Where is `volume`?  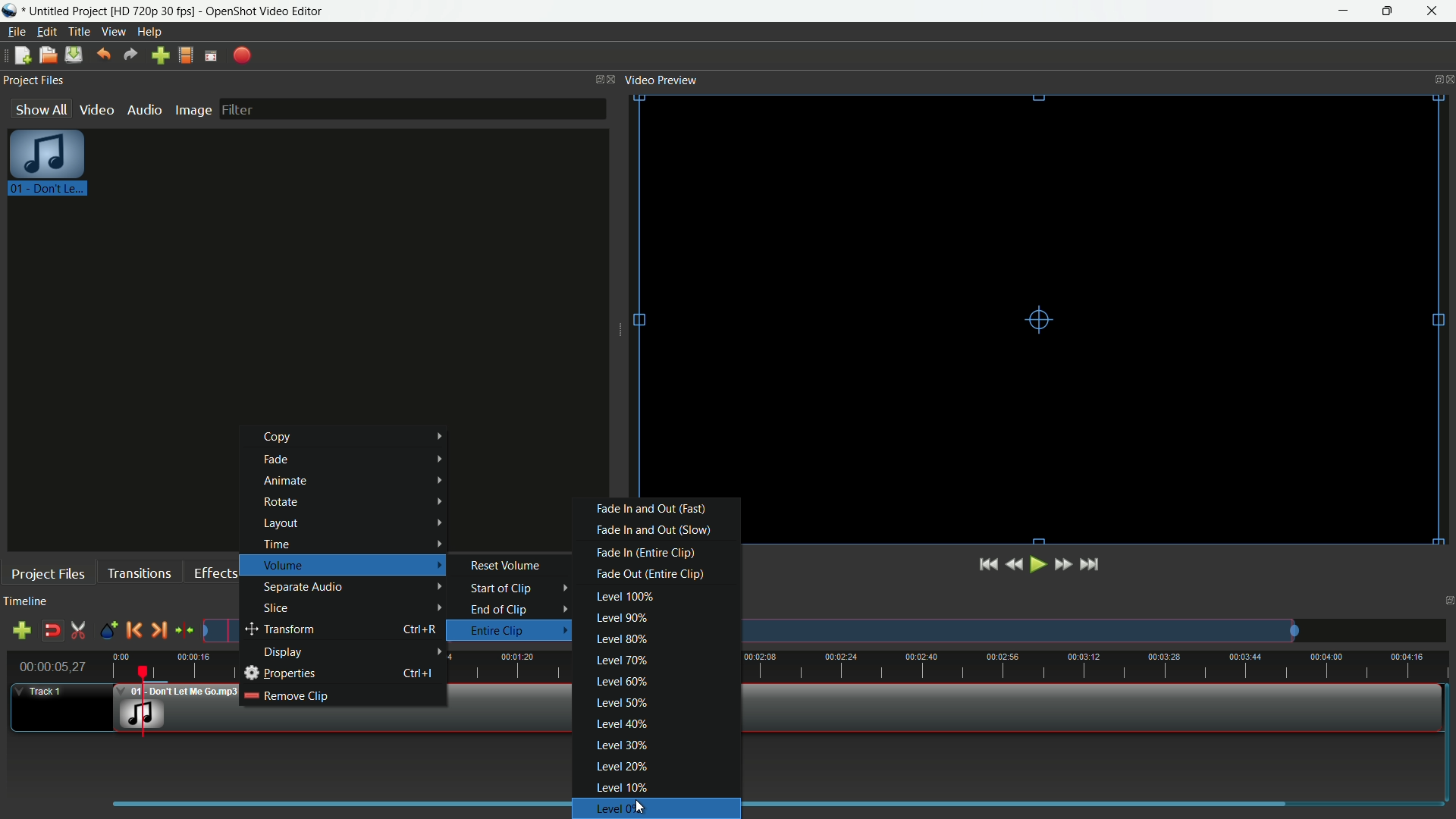
volume is located at coordinates (352, 565).